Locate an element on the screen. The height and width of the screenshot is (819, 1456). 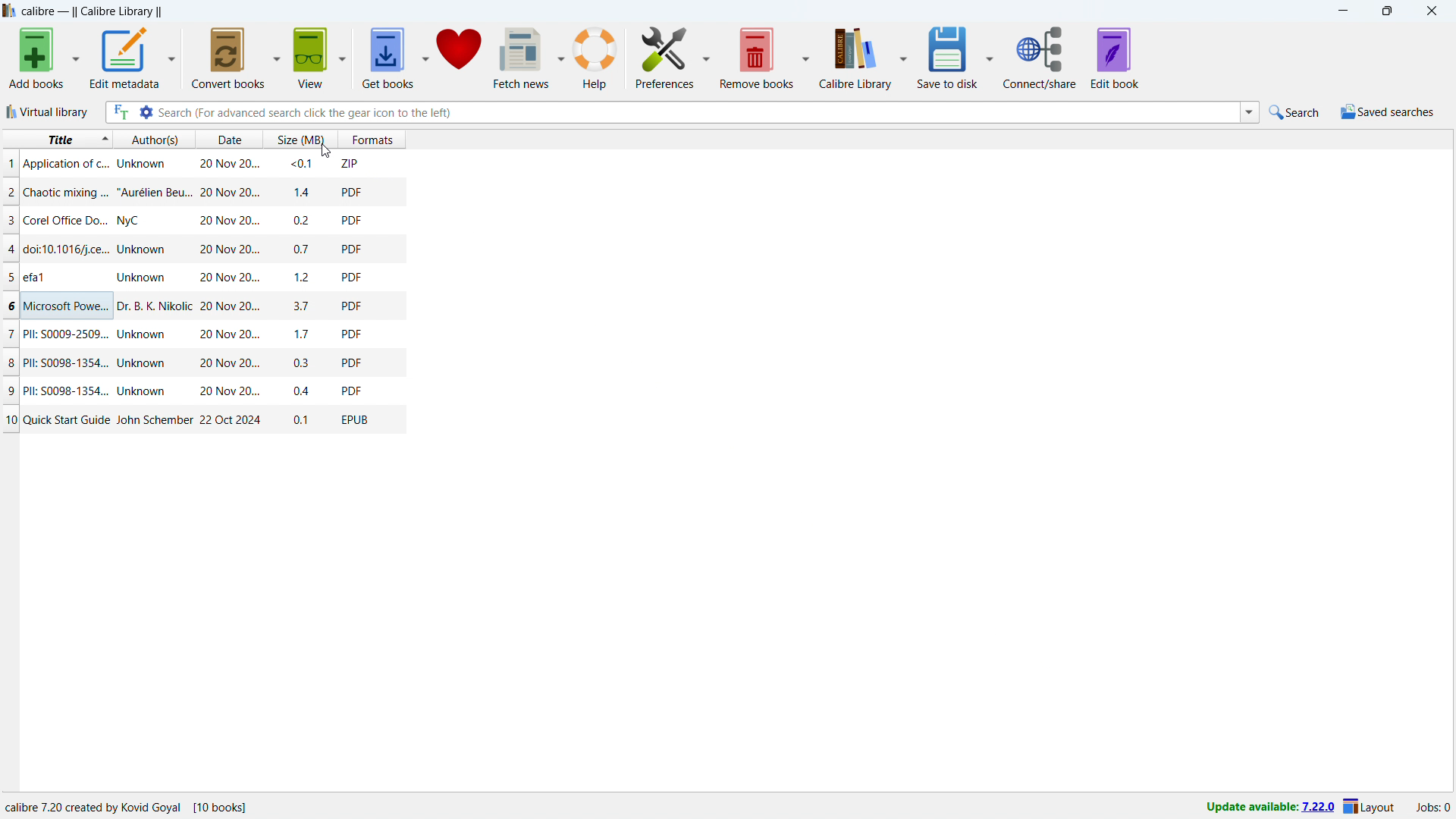
PDF is located at coordinates (352, 389).